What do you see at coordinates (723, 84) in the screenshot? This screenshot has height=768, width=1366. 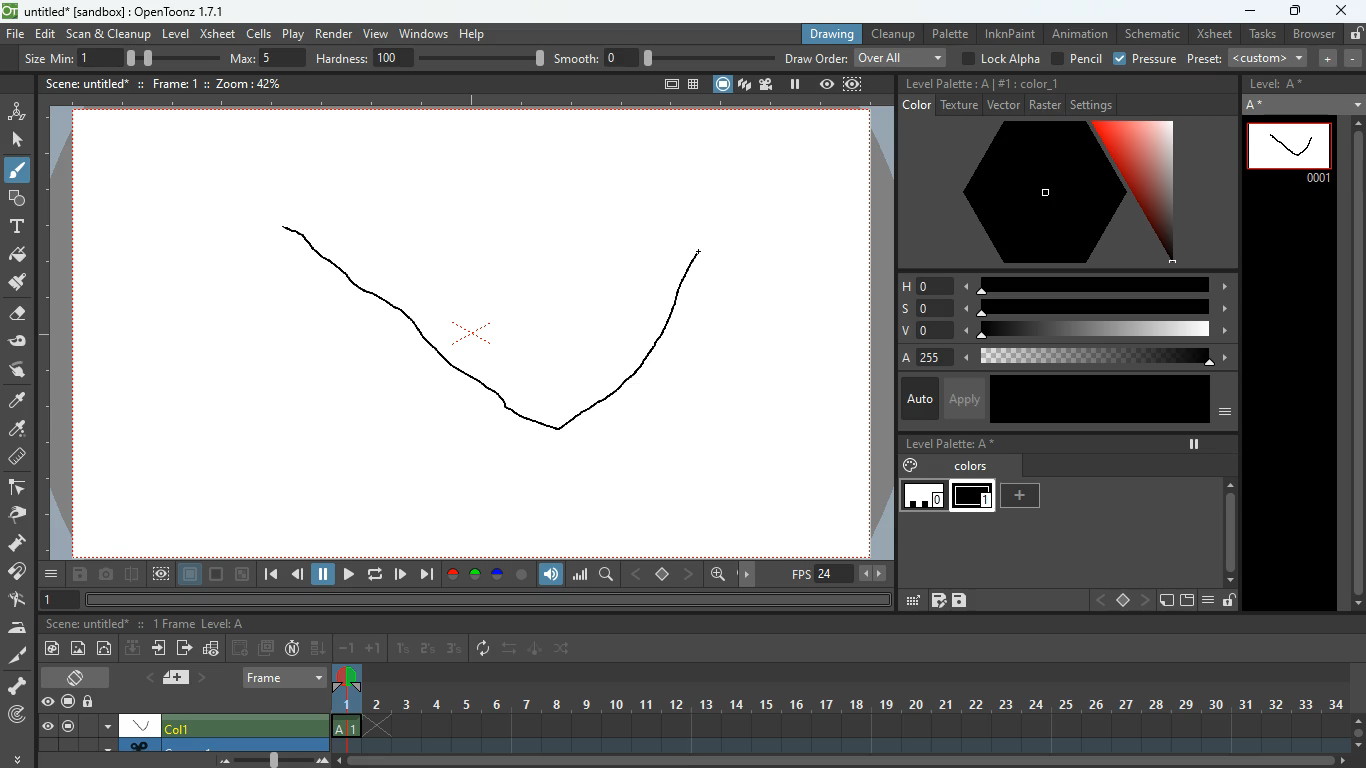 I see `screen` at bounding box center [723, 84].